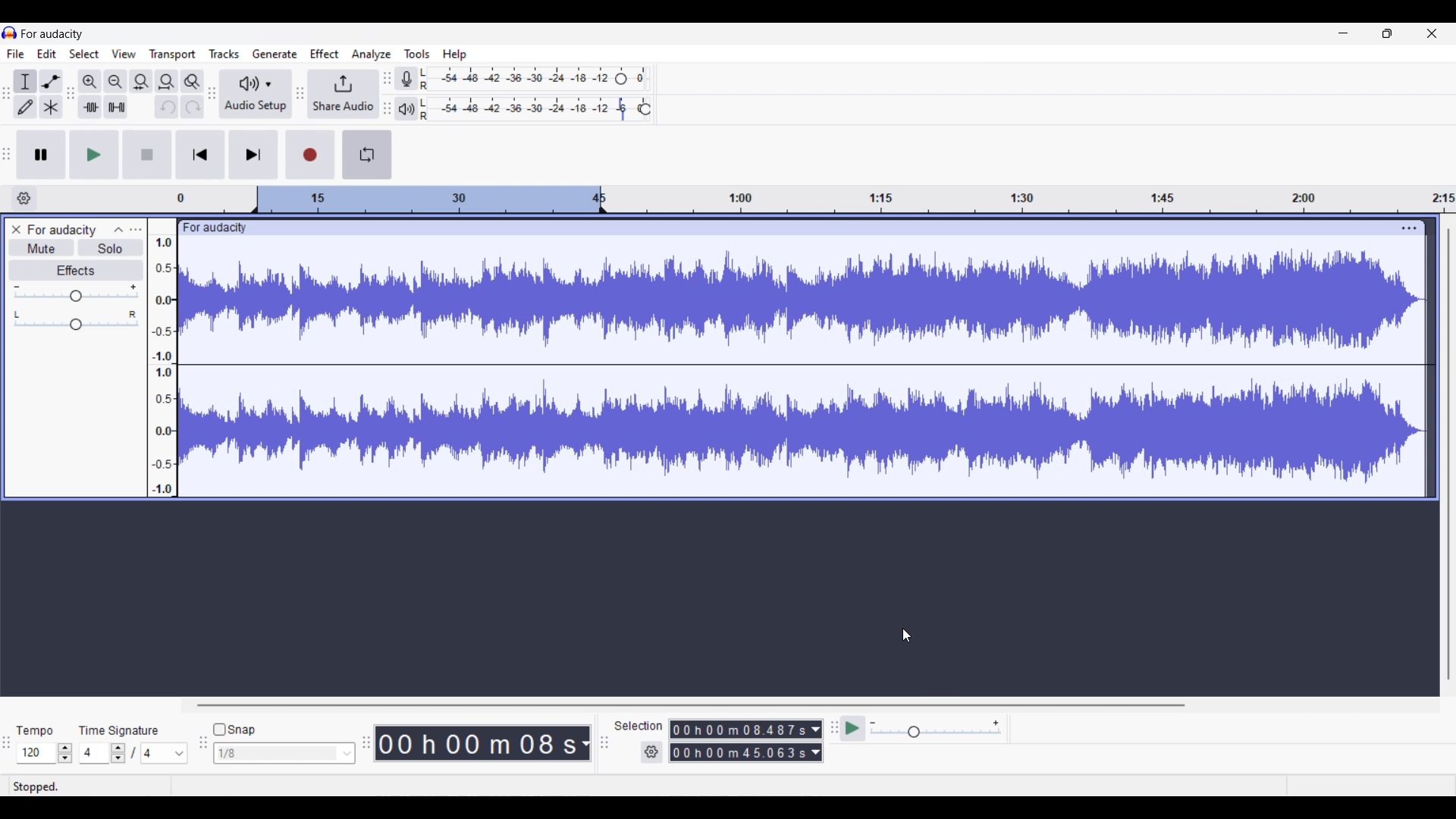 This screenshot has height=819, width=1456. Describe the element at coordinates (254, 154) in the screenshot. I see `Skip/Select to end` at that location.